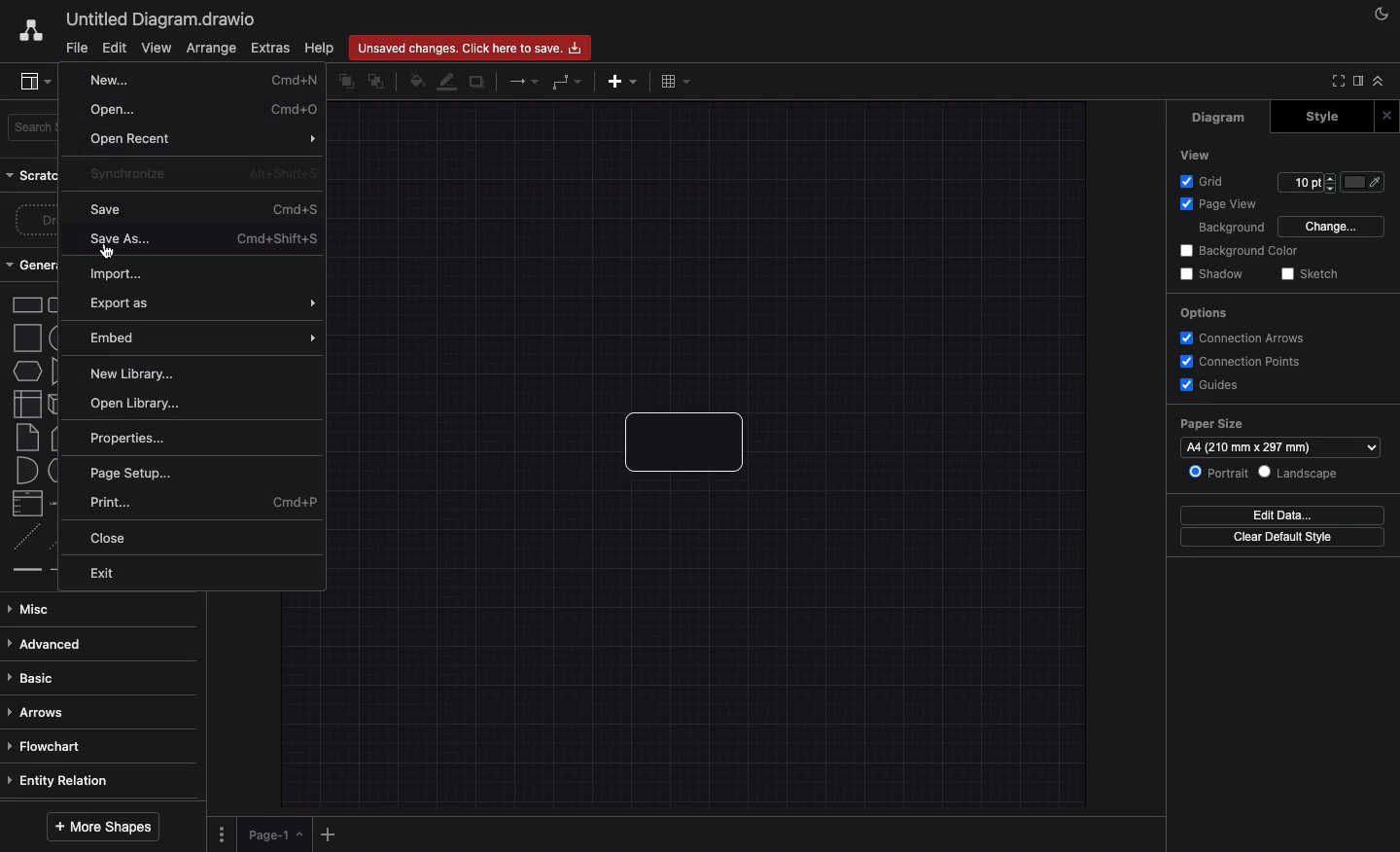  I want to click on Page view, so click(1220, 205).